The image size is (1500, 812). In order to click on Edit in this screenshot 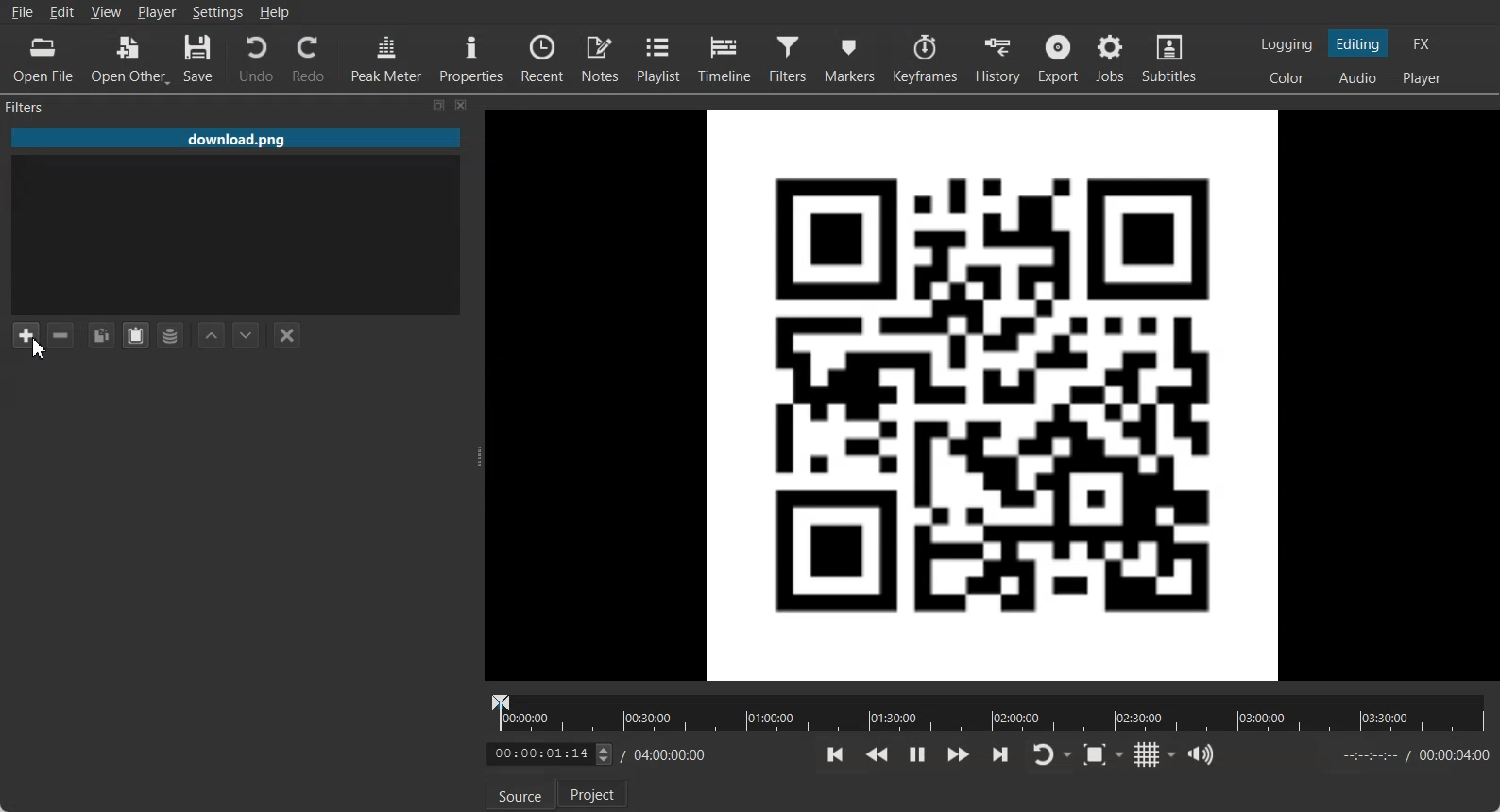, I will do `click(62, 11)`.